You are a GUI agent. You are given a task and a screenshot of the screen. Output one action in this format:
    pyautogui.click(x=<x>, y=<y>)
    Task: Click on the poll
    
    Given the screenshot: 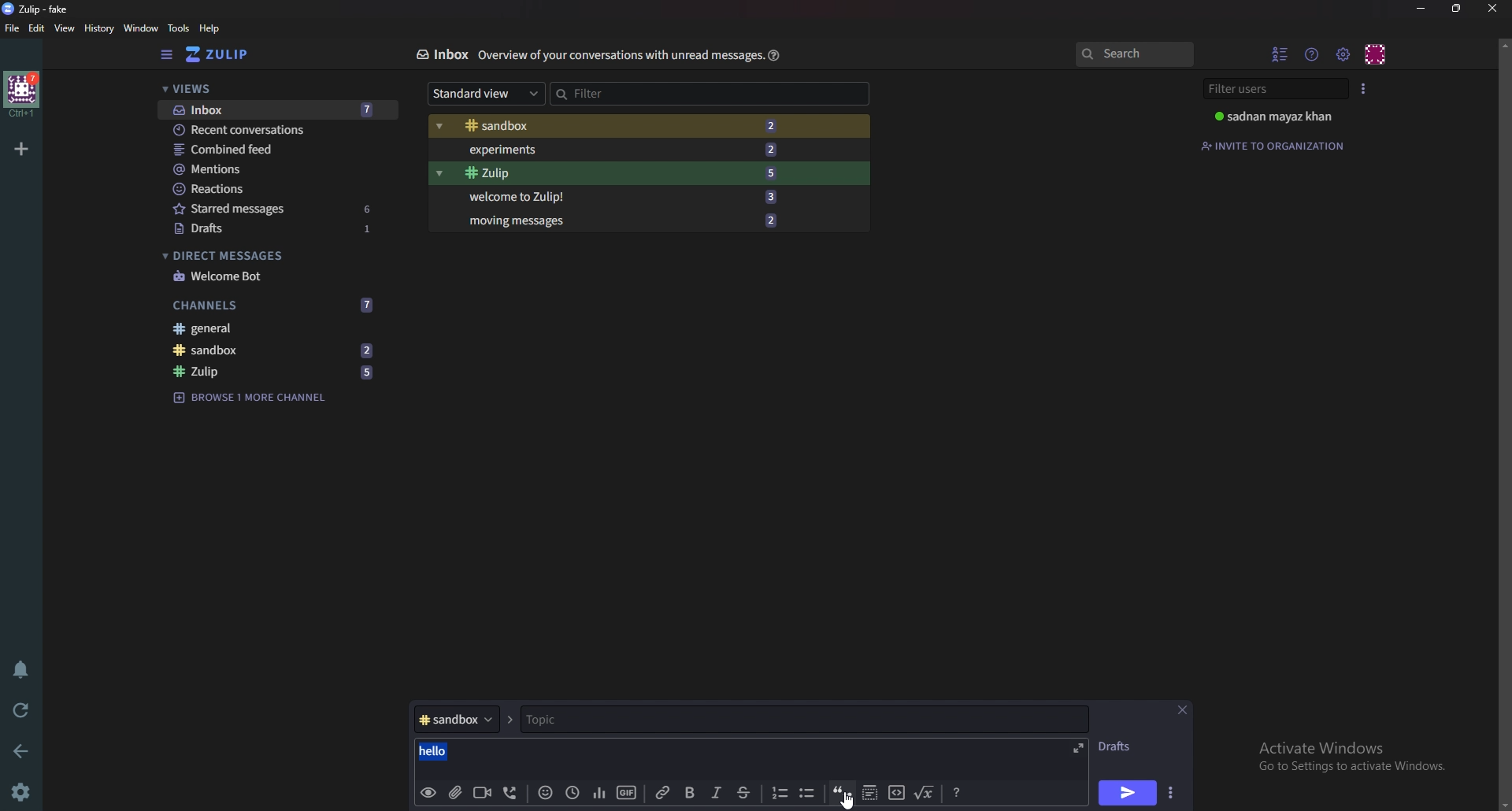 What is the action you would take?
    pyautogui.click(x=600, y=794)
    